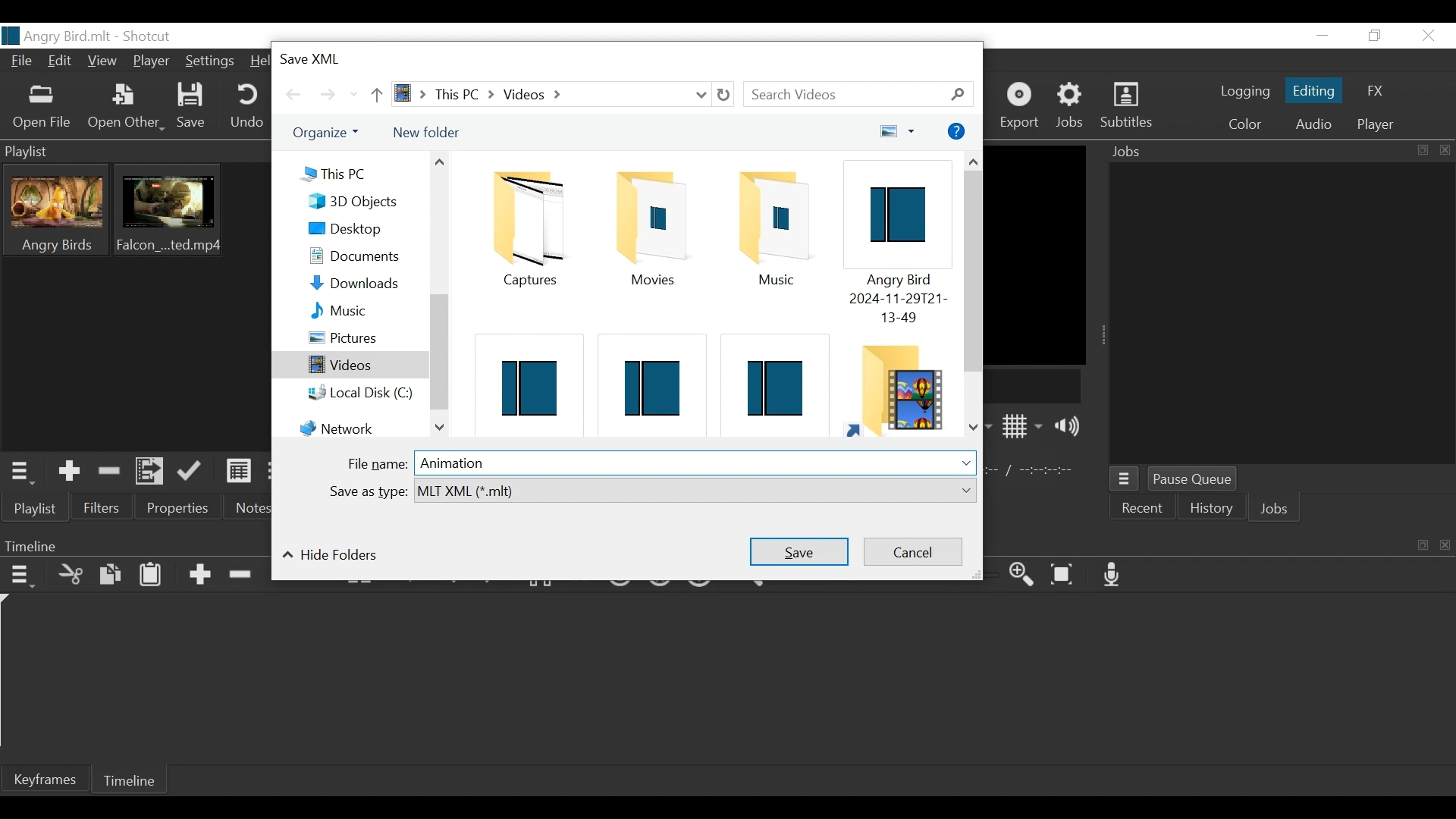 This screenshot has height=819, width=1456. Describe the element at coordinates (102, 509) in the screenshot. I see `Filters` at that location.